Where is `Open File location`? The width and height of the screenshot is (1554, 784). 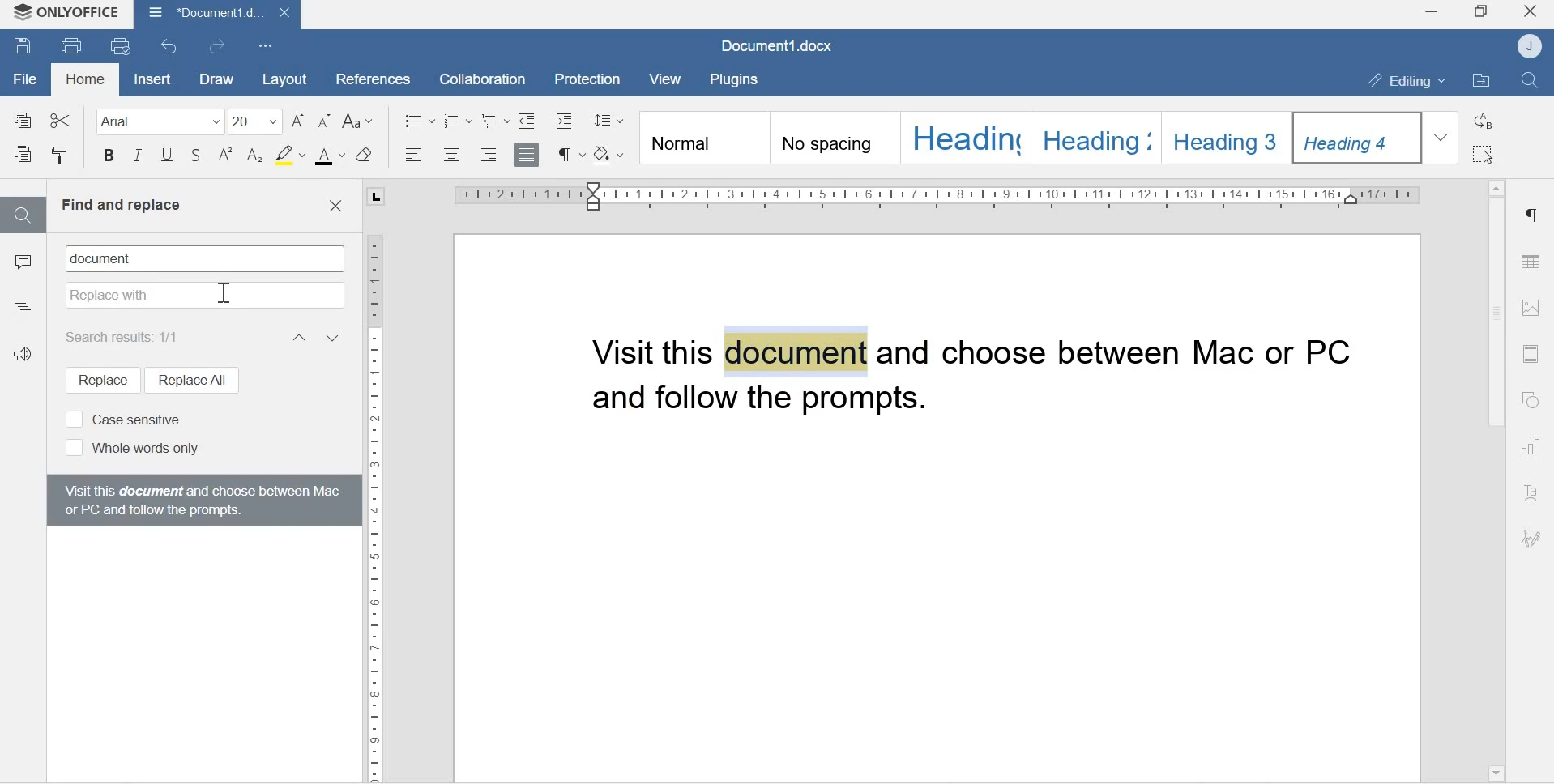
Open File location is located at coordinates (1481, 82).